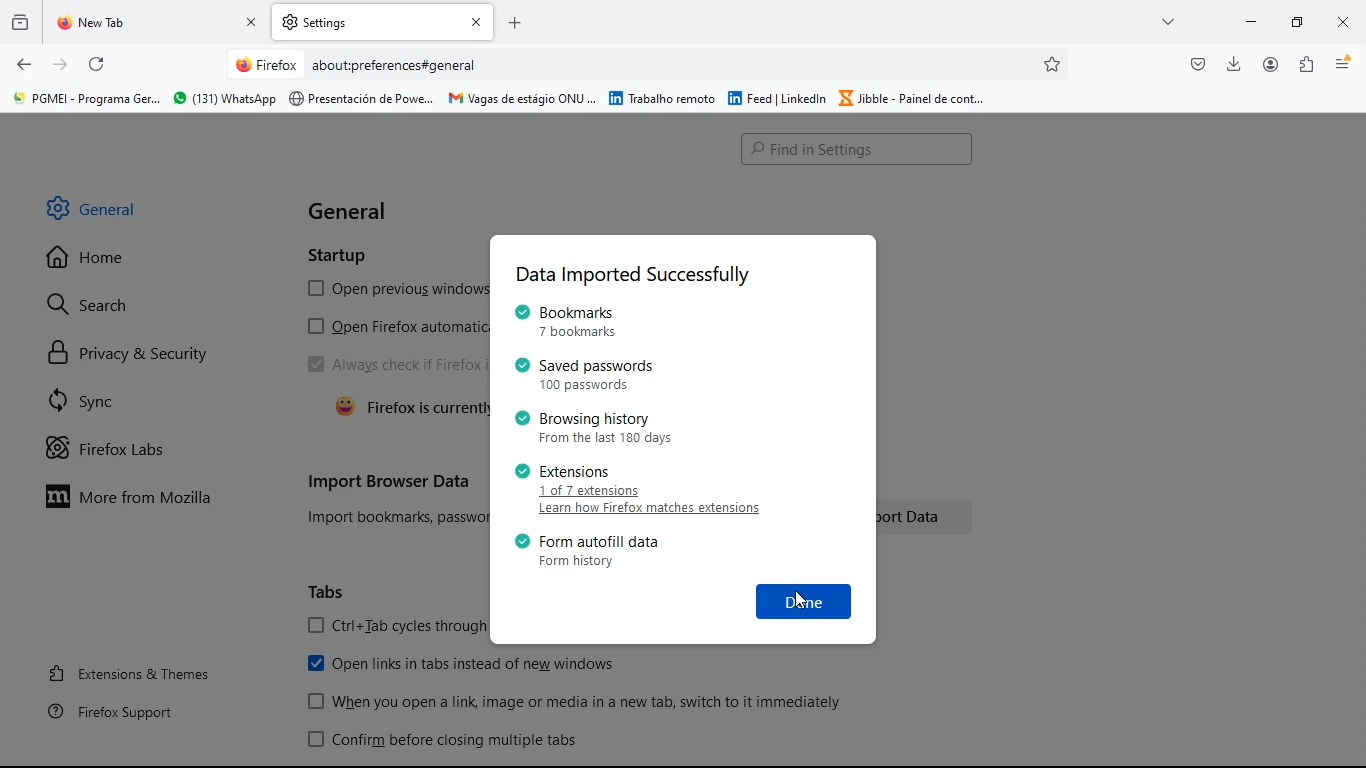 This screenshot has width=1366, height=768. Describe the element at coordinates (586, 552) in the screenshot. I see `© Form autofill data
Form history` at that location.